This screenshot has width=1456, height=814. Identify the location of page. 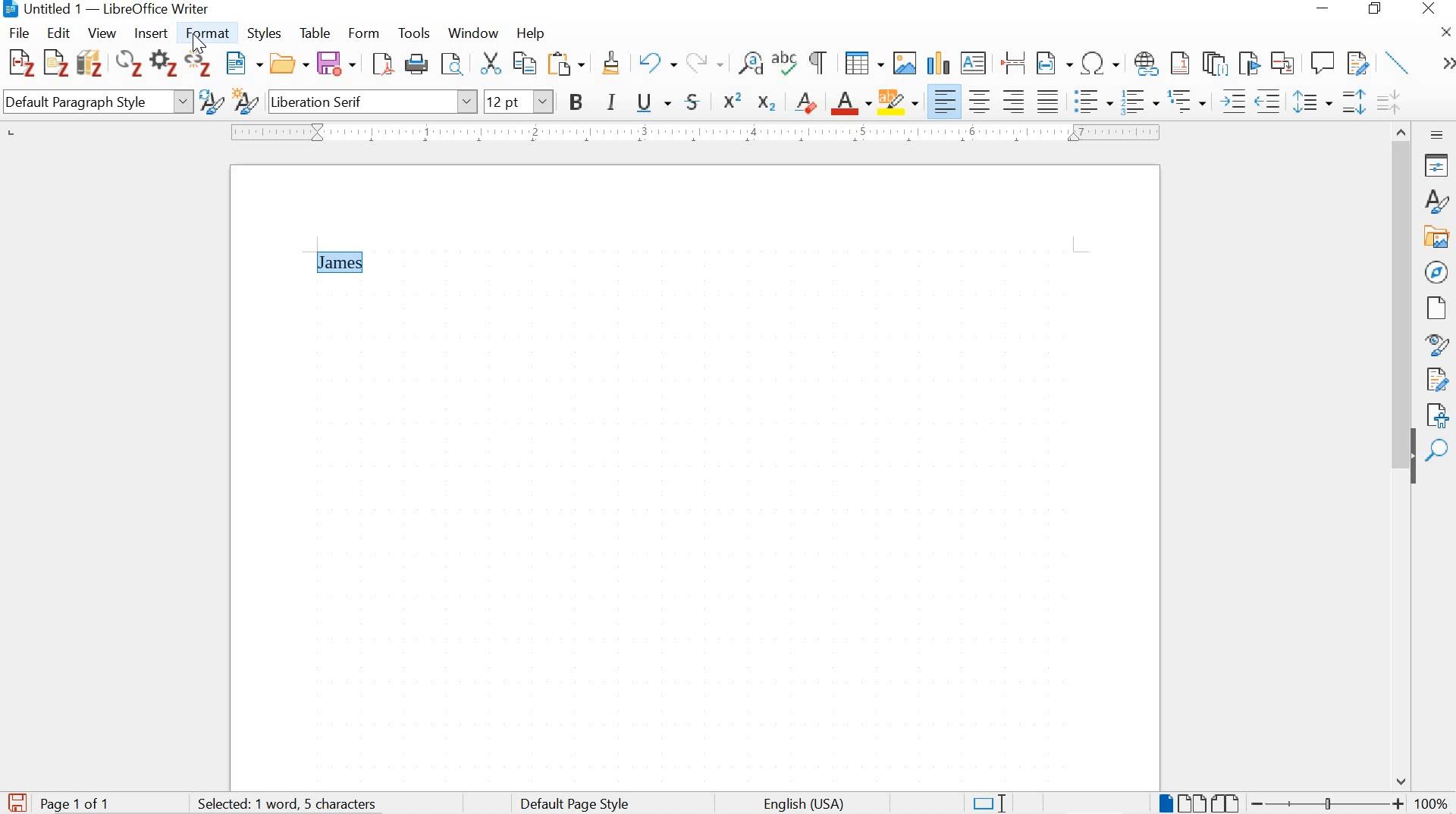
(1434, 308).